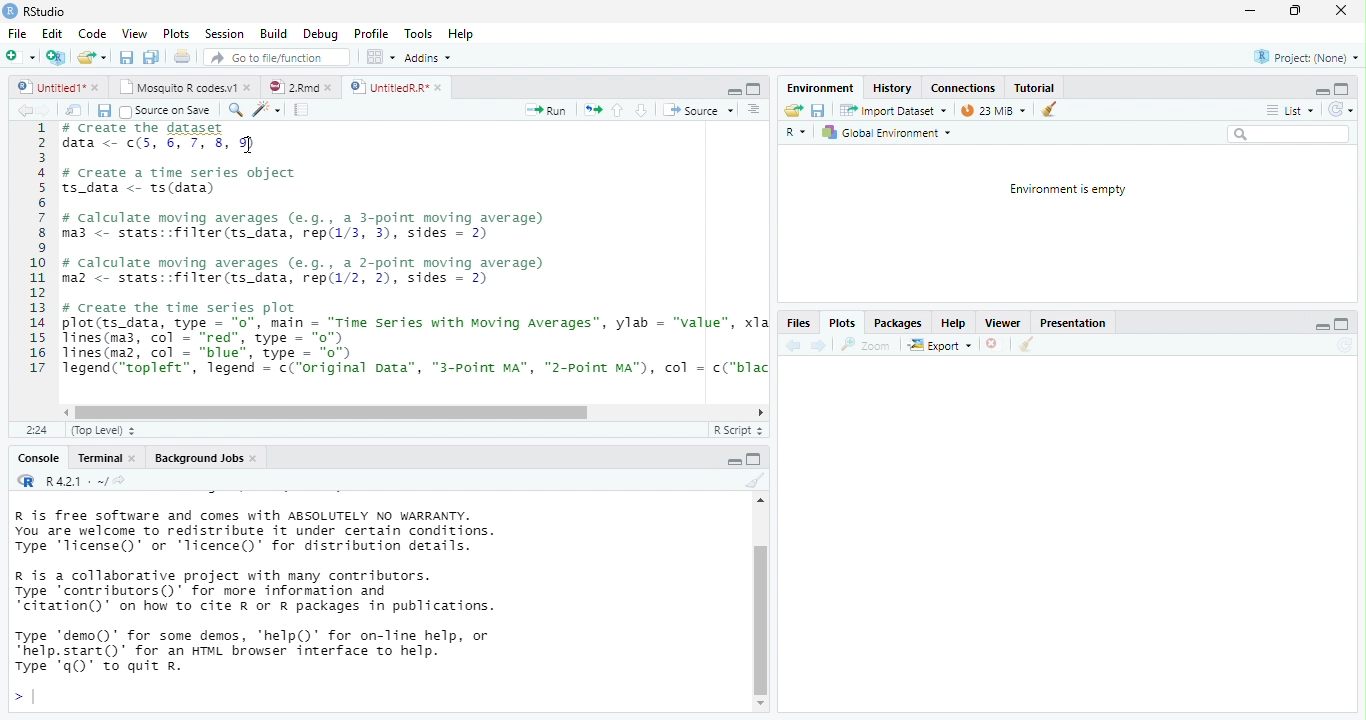  Describe the element at coordinates (1025, 346) in the screenshot. I see `clear` at that location.